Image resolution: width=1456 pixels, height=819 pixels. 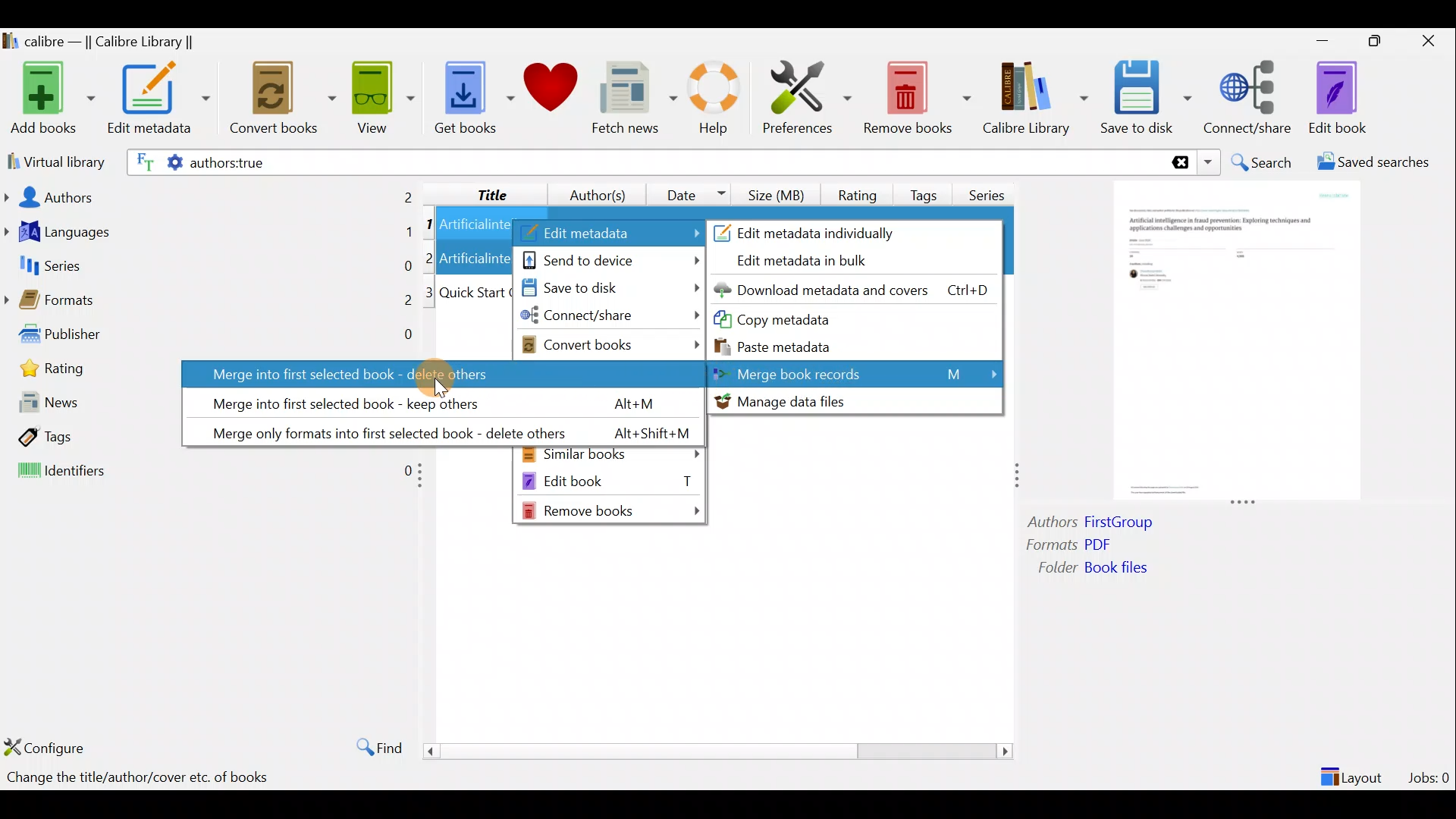 I want to click on Change the title/author/cover etc. of books, so click(x=137, y=779).